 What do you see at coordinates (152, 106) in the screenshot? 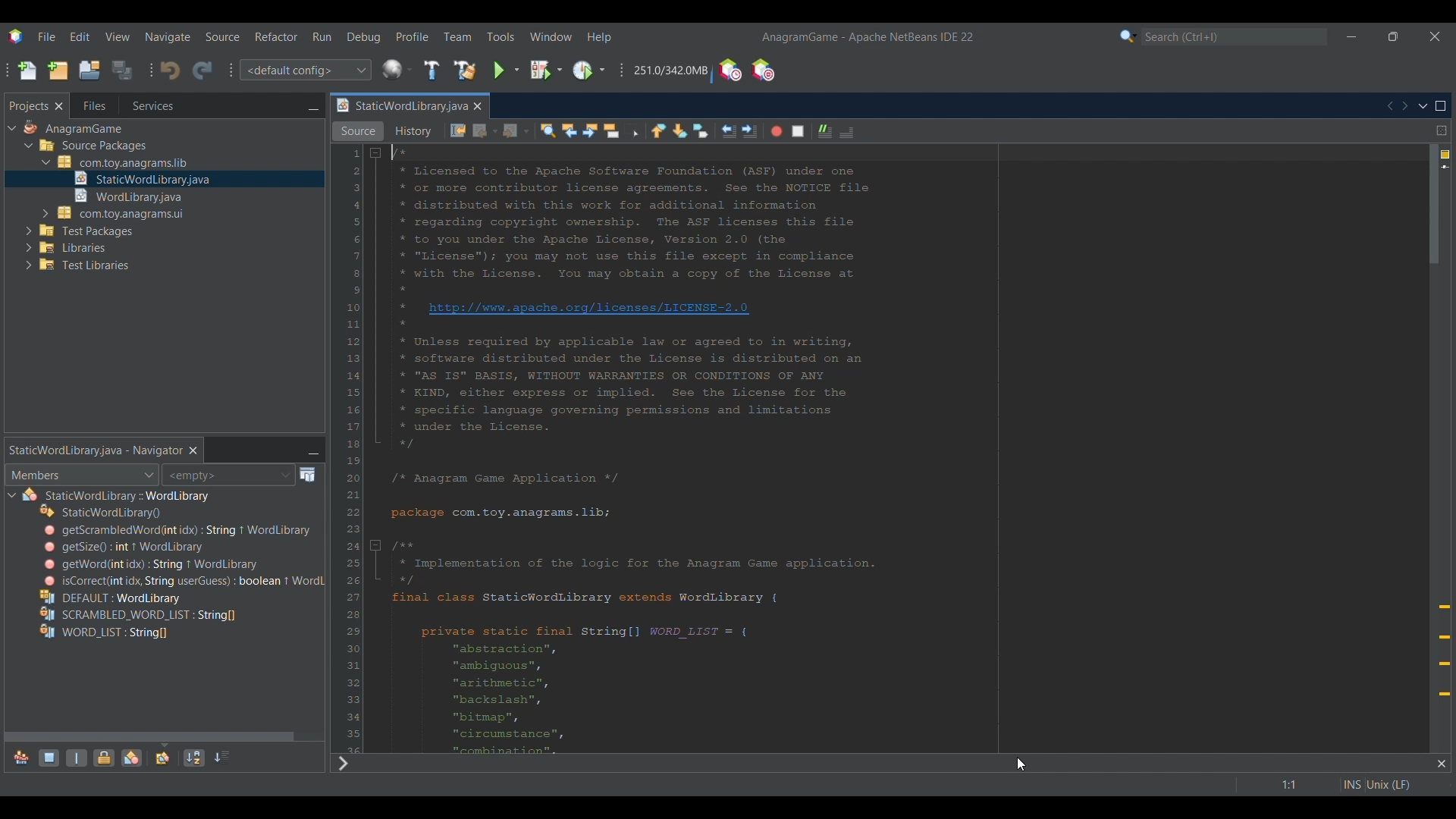
I see `Go to services` at bounding box center [152, 106].